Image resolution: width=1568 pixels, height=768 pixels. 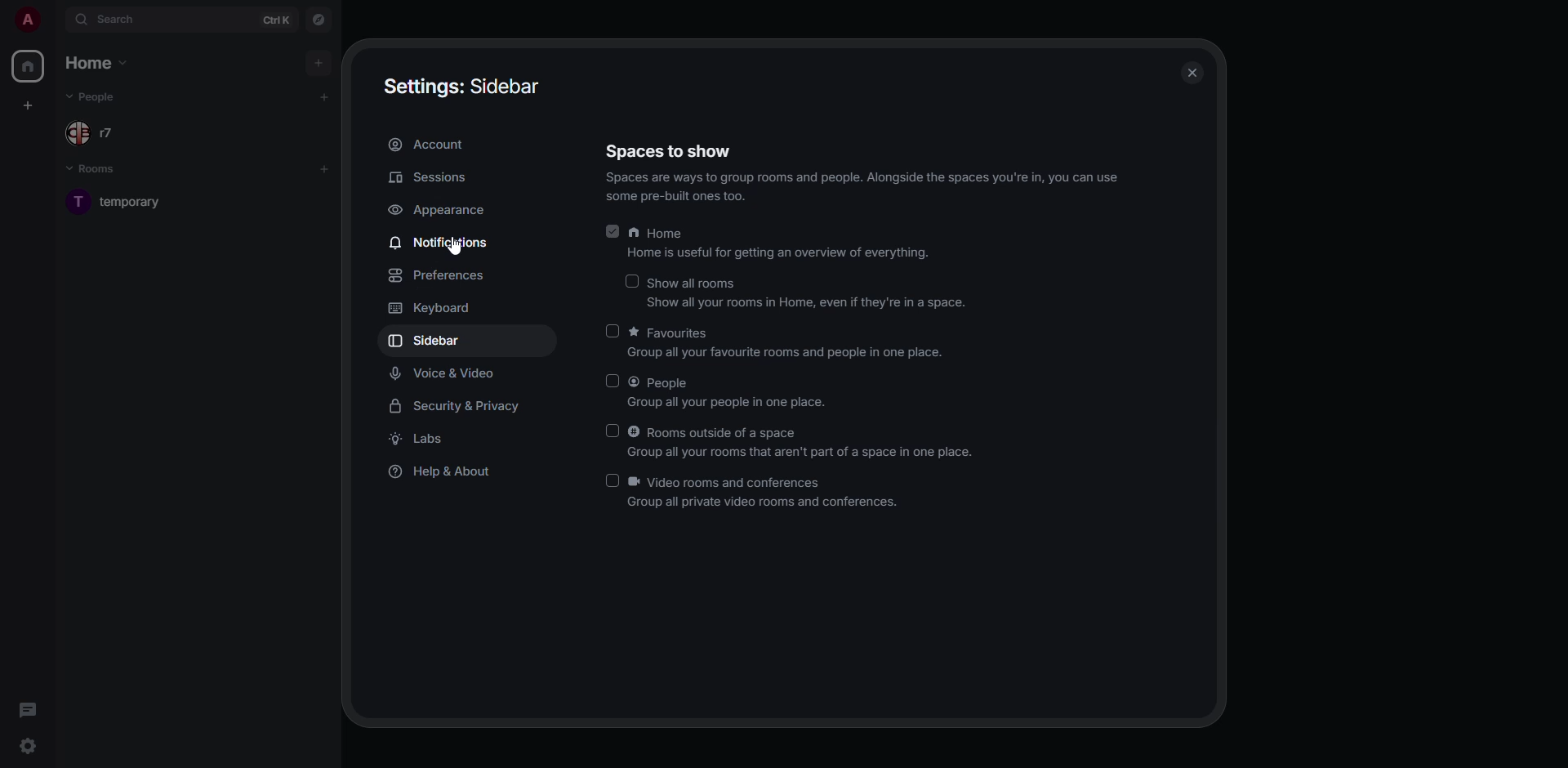 I want to click on info, so click(x=868, y=188).